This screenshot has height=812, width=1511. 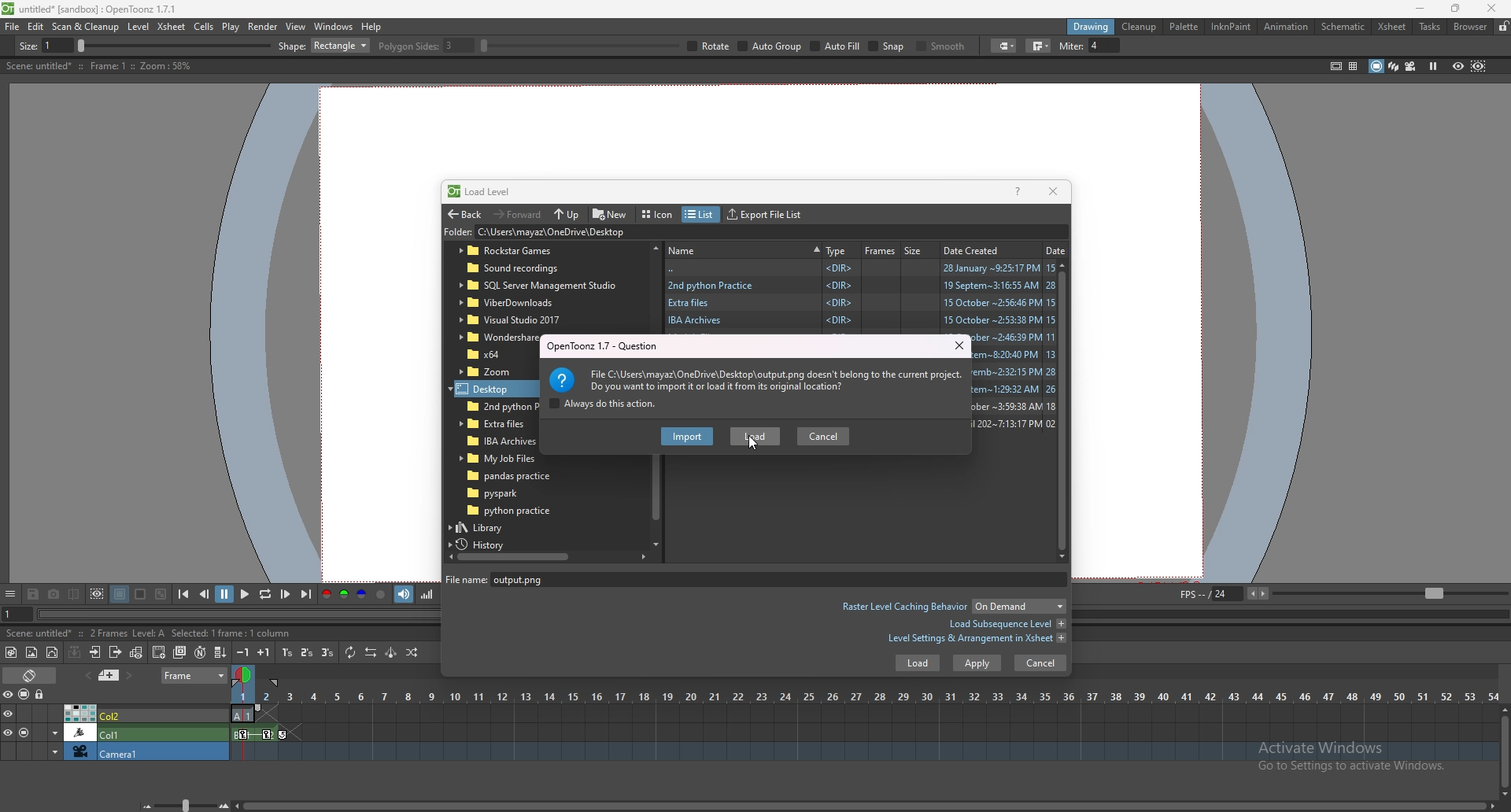 What do you see at coordinates (493, 407) in the screenshot?
I see `folder` at bounding box center [493, 407].